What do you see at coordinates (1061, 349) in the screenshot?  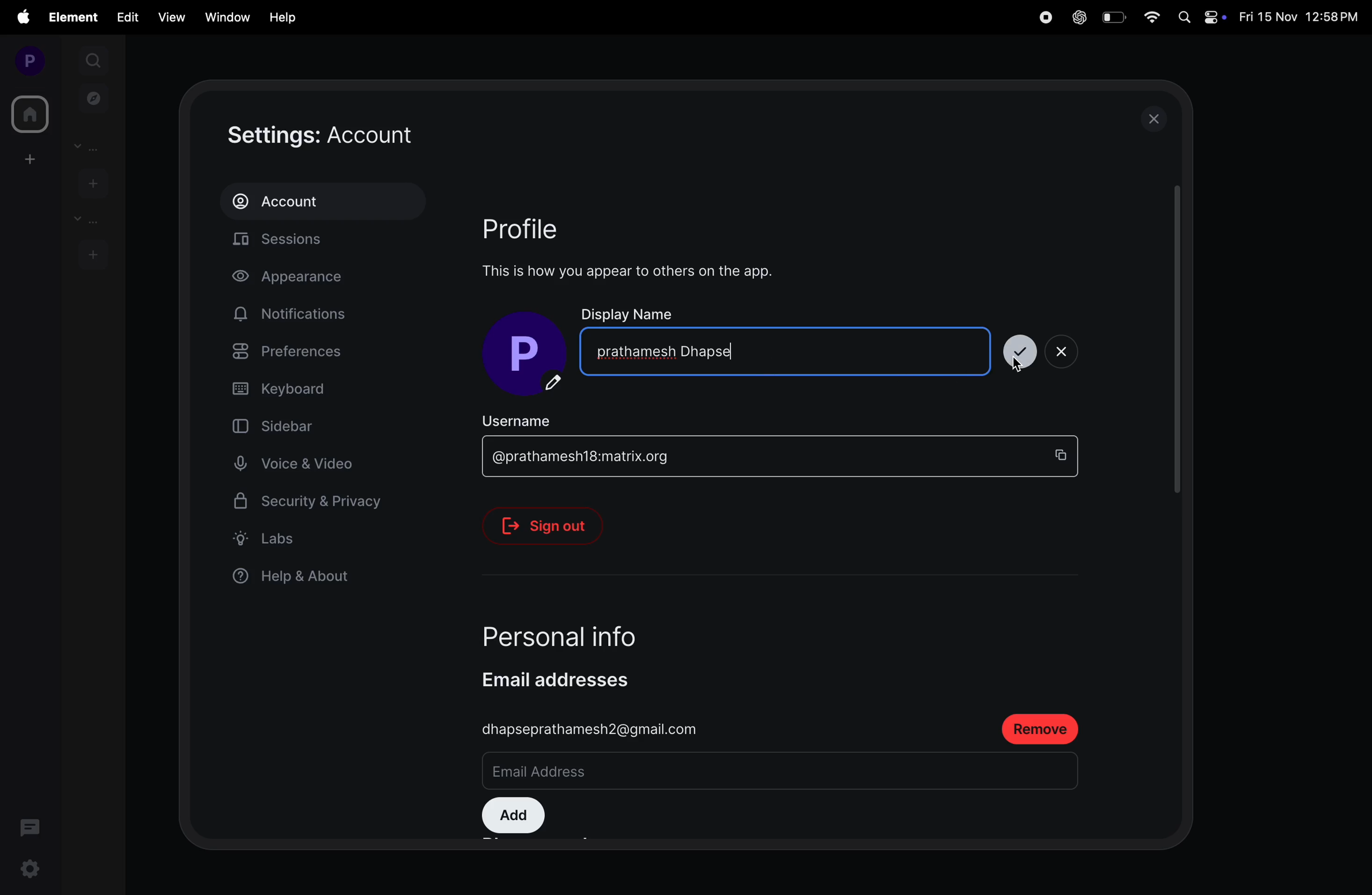 I see `close` at bounding box center [1061, 349].